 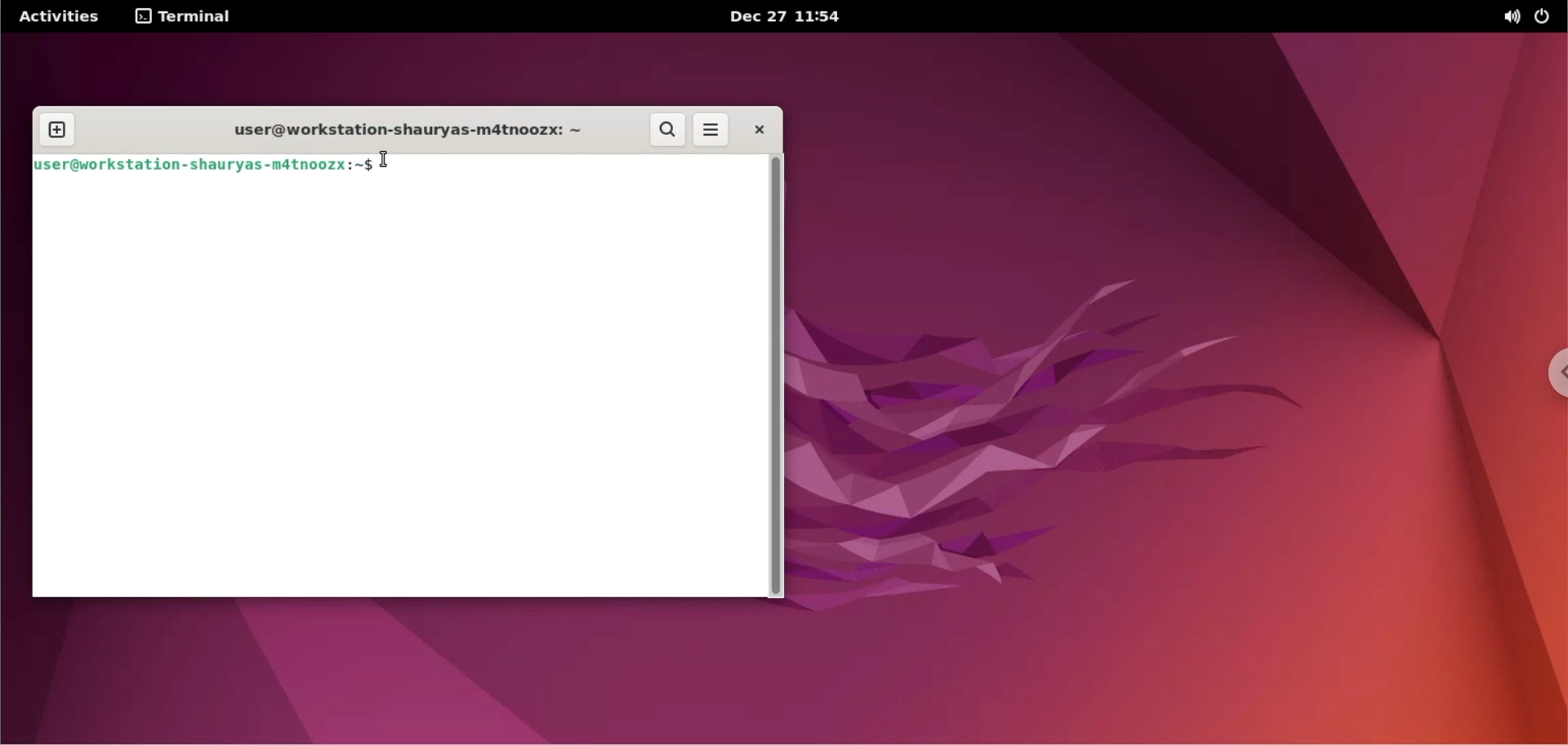 What do you see at coordinates (1511, 16) in the screenshot?
I see `sound options` at bounding box center [1511, 16].